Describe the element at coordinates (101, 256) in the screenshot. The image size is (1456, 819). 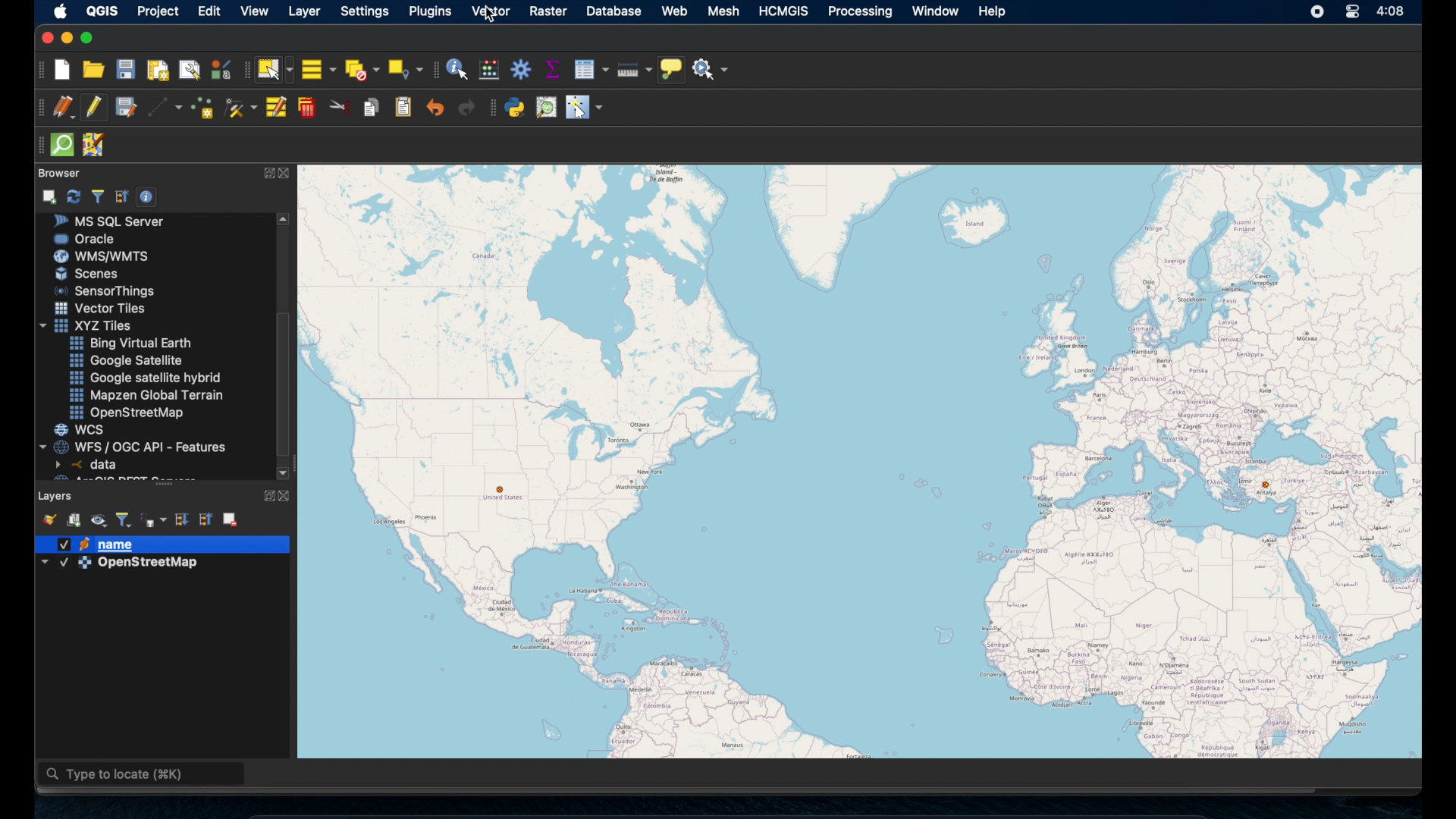
I see `wms/wmts` at that location.